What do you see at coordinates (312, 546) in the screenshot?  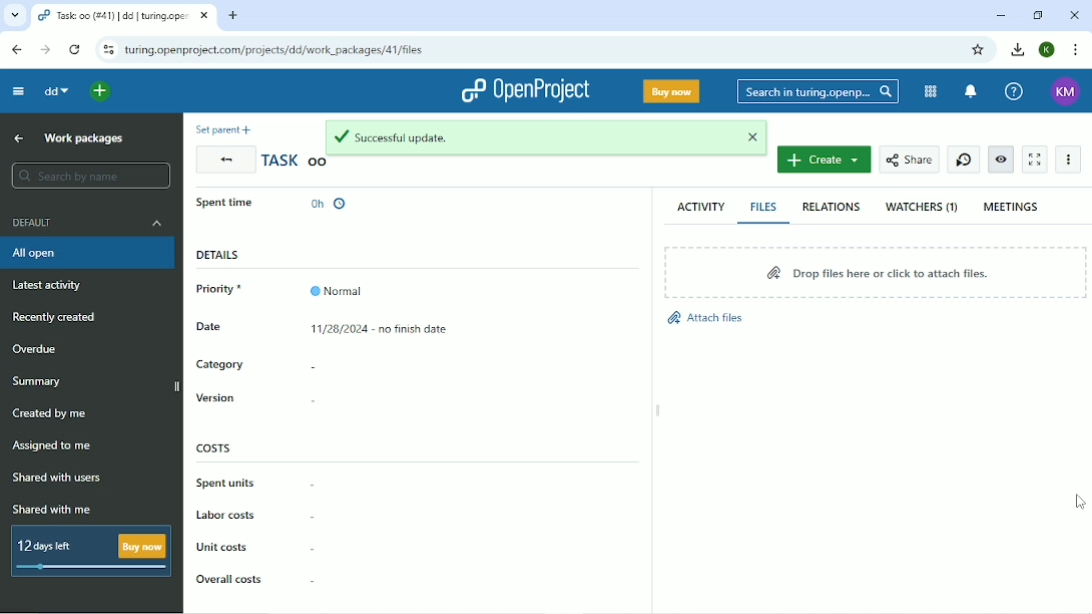 I see `-` at bounding box center [312, 546].